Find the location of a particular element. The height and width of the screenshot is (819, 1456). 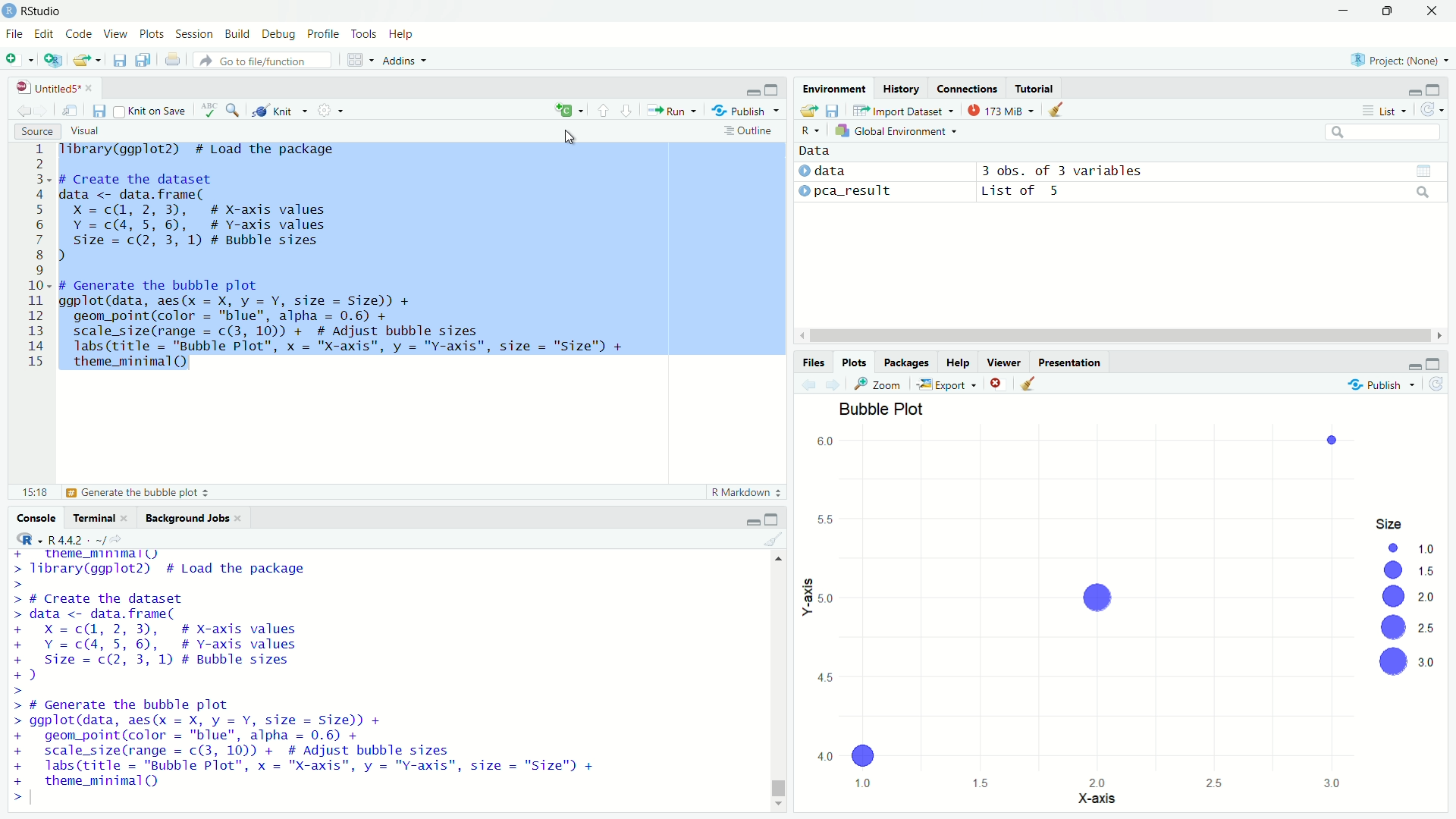

visual is located at coordinates (87, 132).